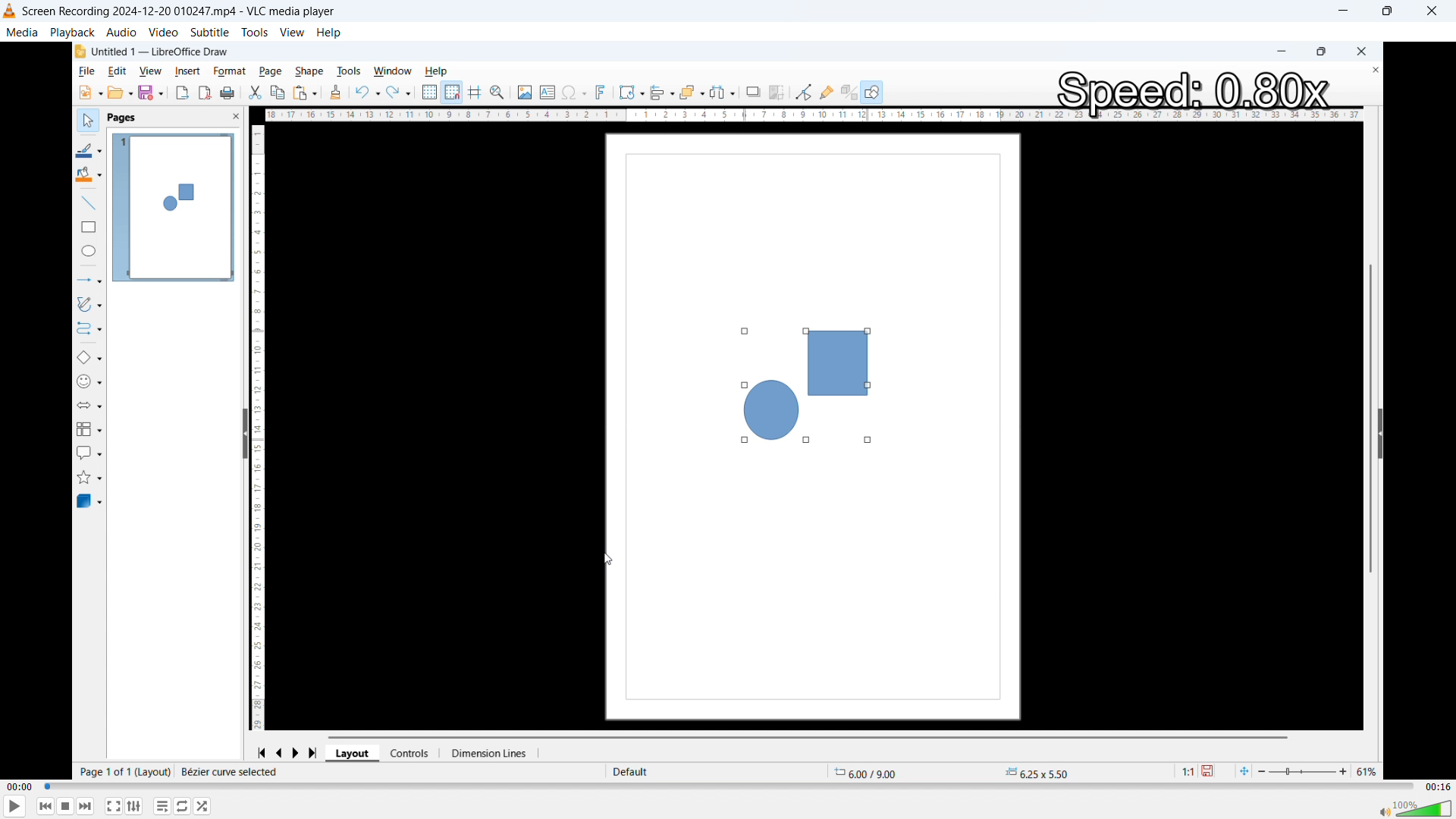 This screenshot has width=1456, height=819. I want to click on Time elapsed , so click(20, 786).